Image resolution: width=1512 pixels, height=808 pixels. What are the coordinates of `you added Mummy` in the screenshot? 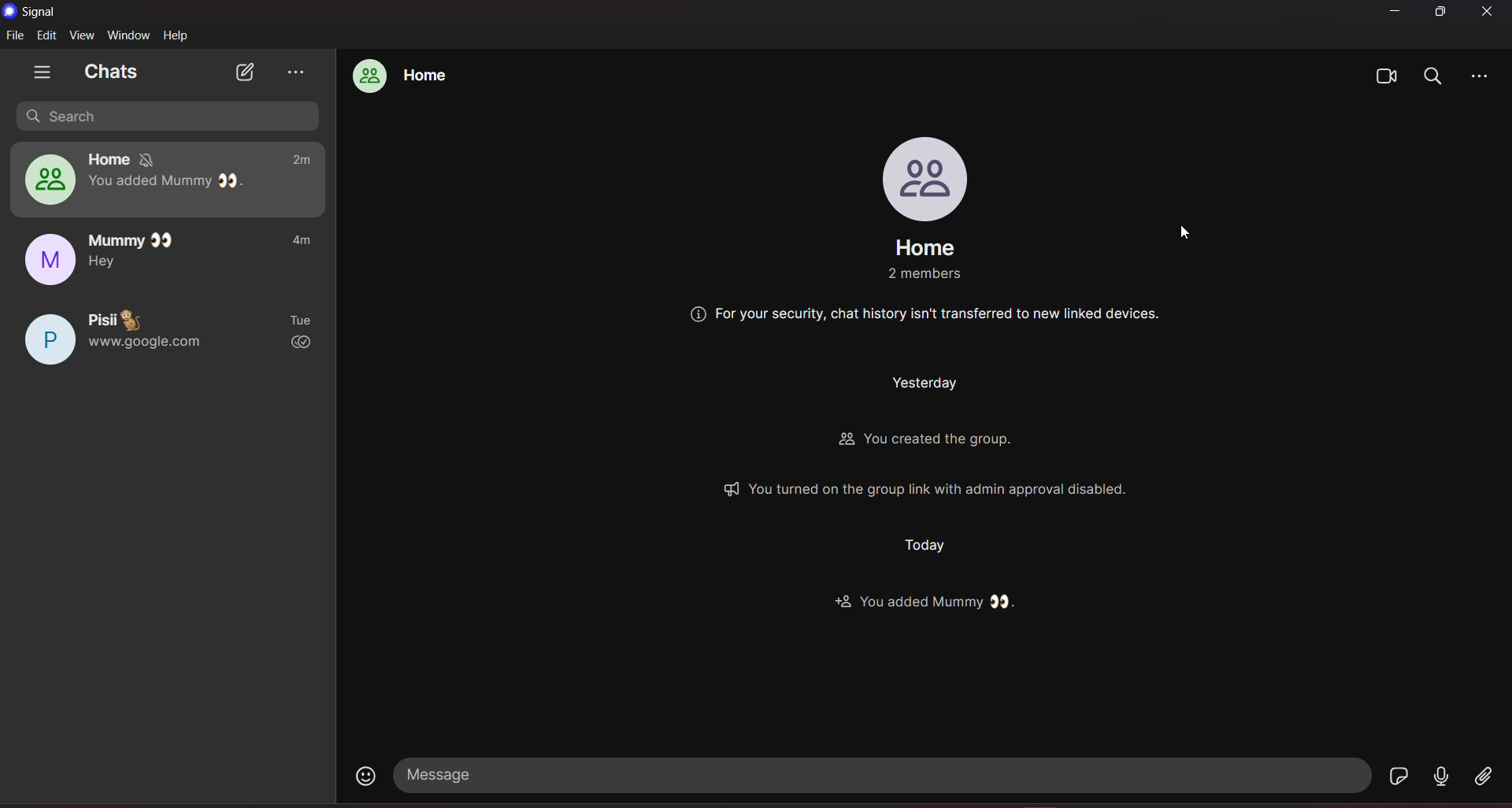 It's located at (173, 182).